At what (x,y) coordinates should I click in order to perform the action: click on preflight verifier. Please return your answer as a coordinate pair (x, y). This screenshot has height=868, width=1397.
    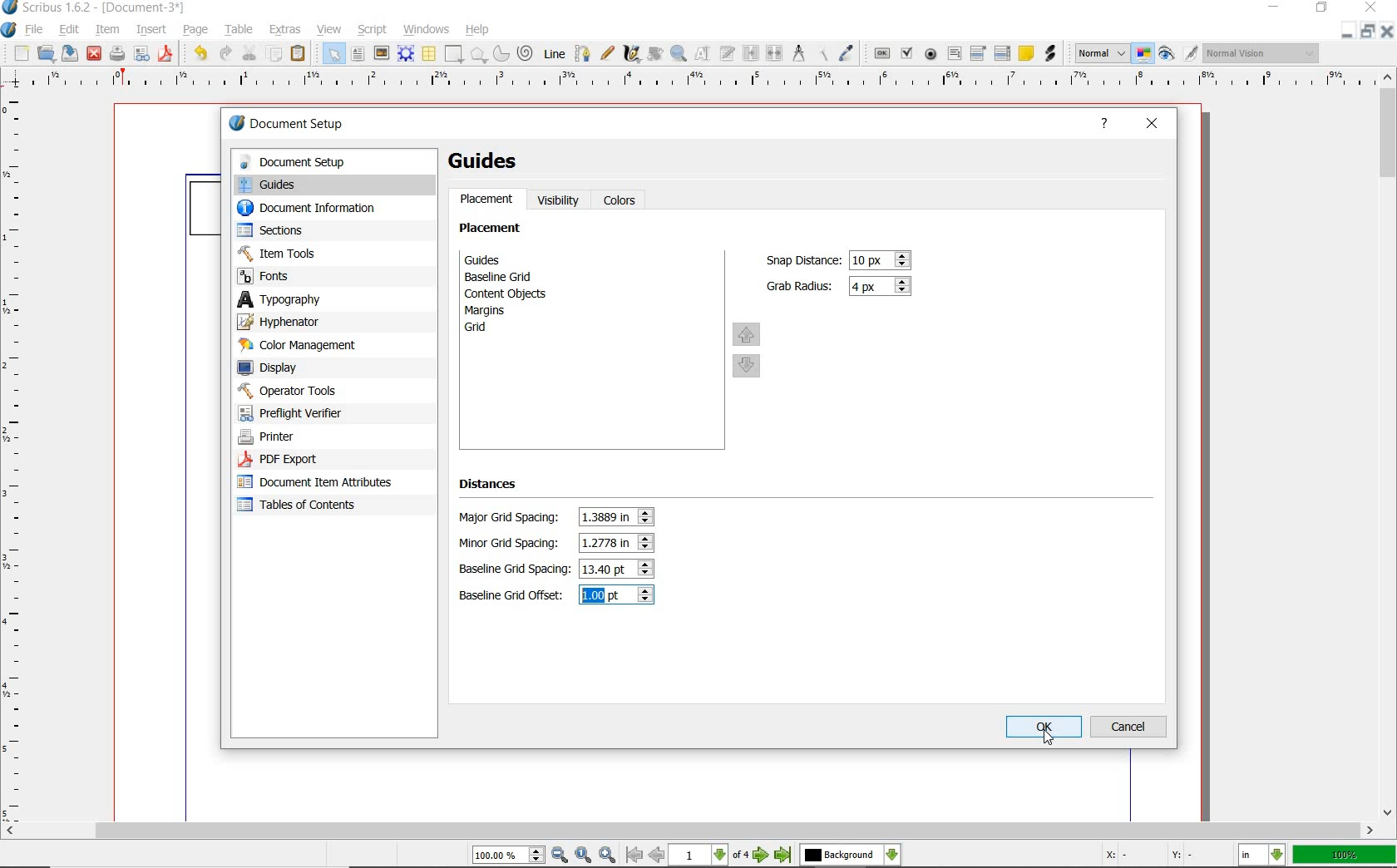
    Looking at the image, I should click on (309, 413).